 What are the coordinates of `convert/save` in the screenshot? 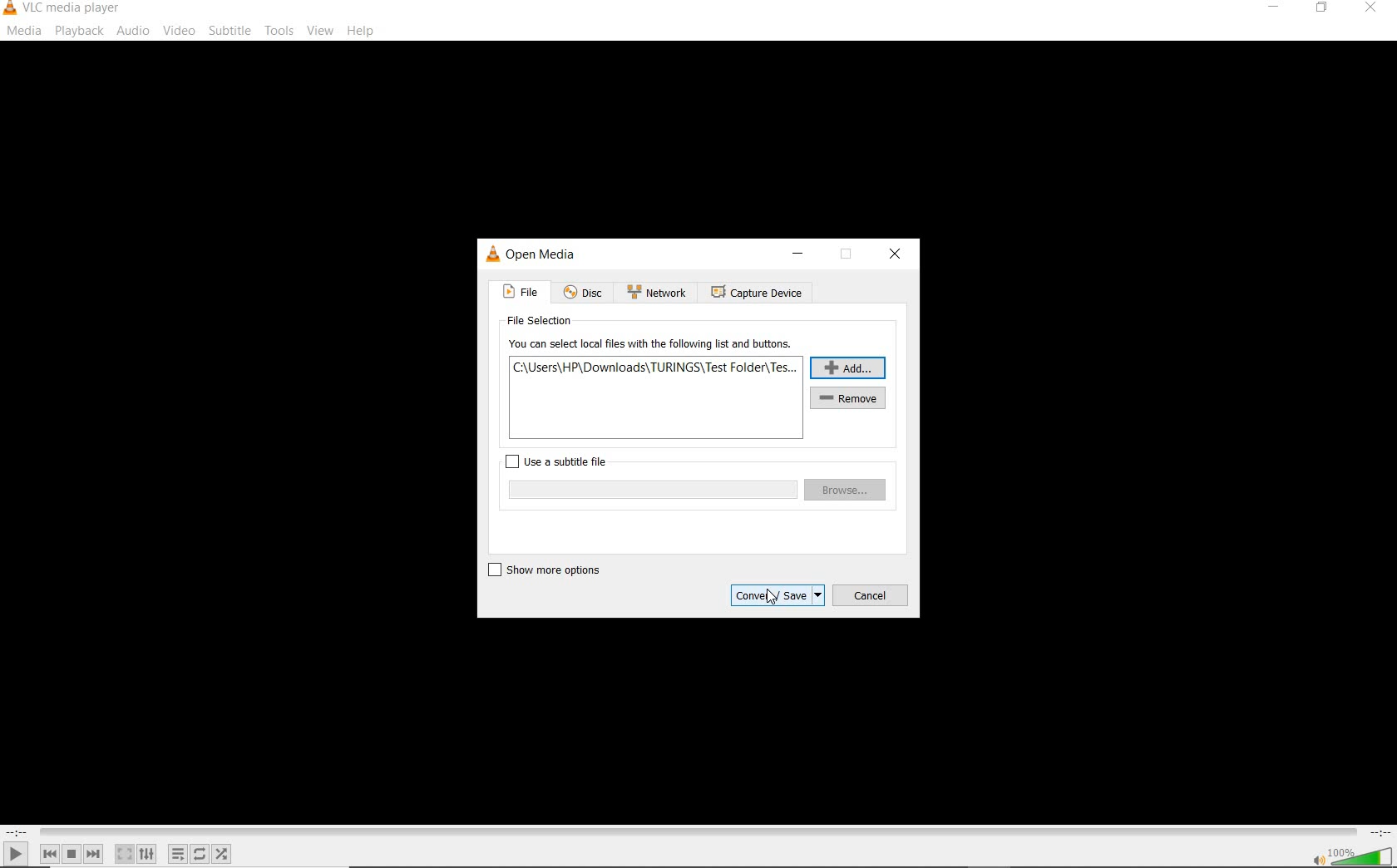 It's located at (777, 595).